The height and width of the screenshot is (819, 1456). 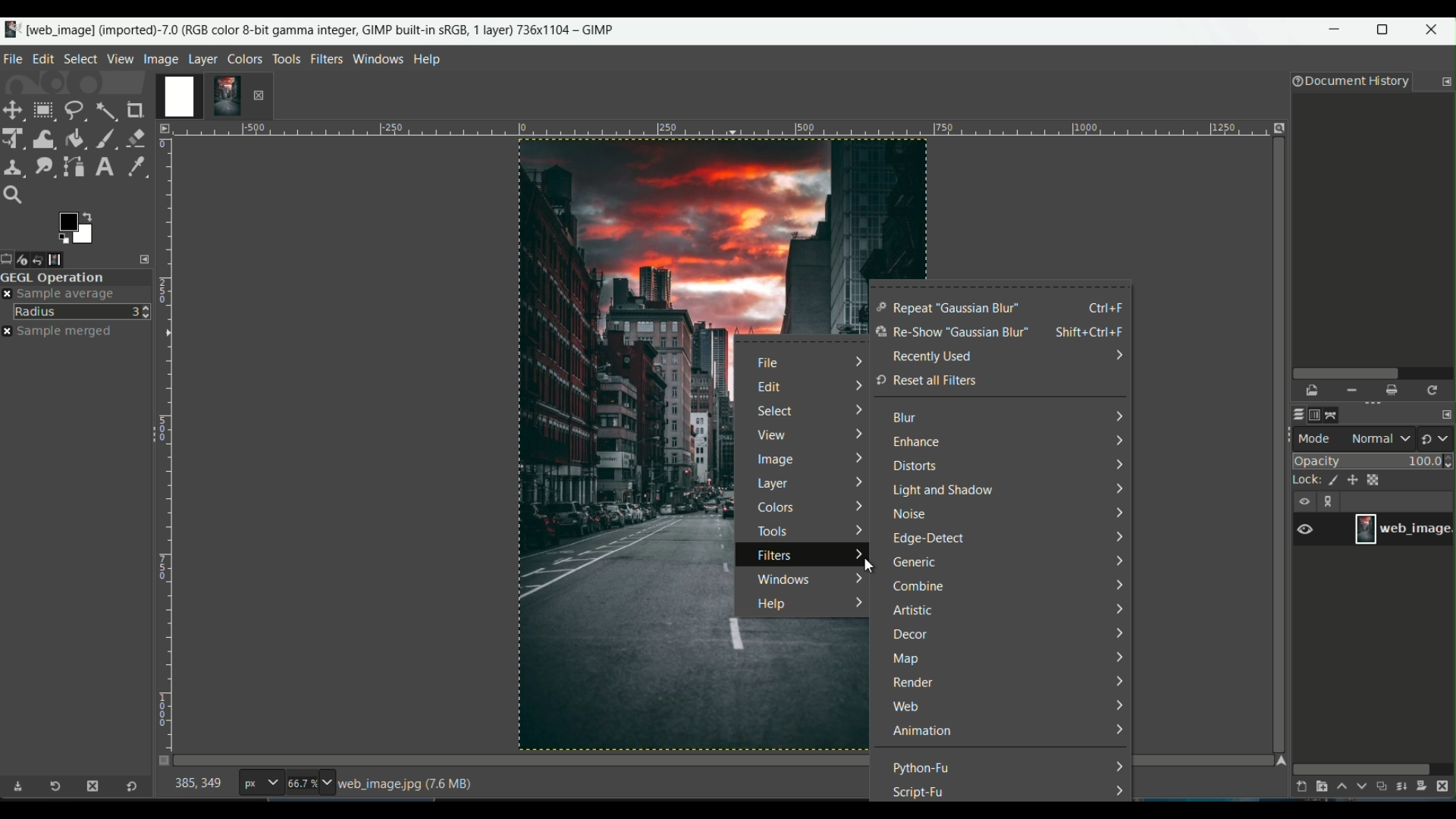 I want to click on create duplicate layer, so click(x=1382, y=788).